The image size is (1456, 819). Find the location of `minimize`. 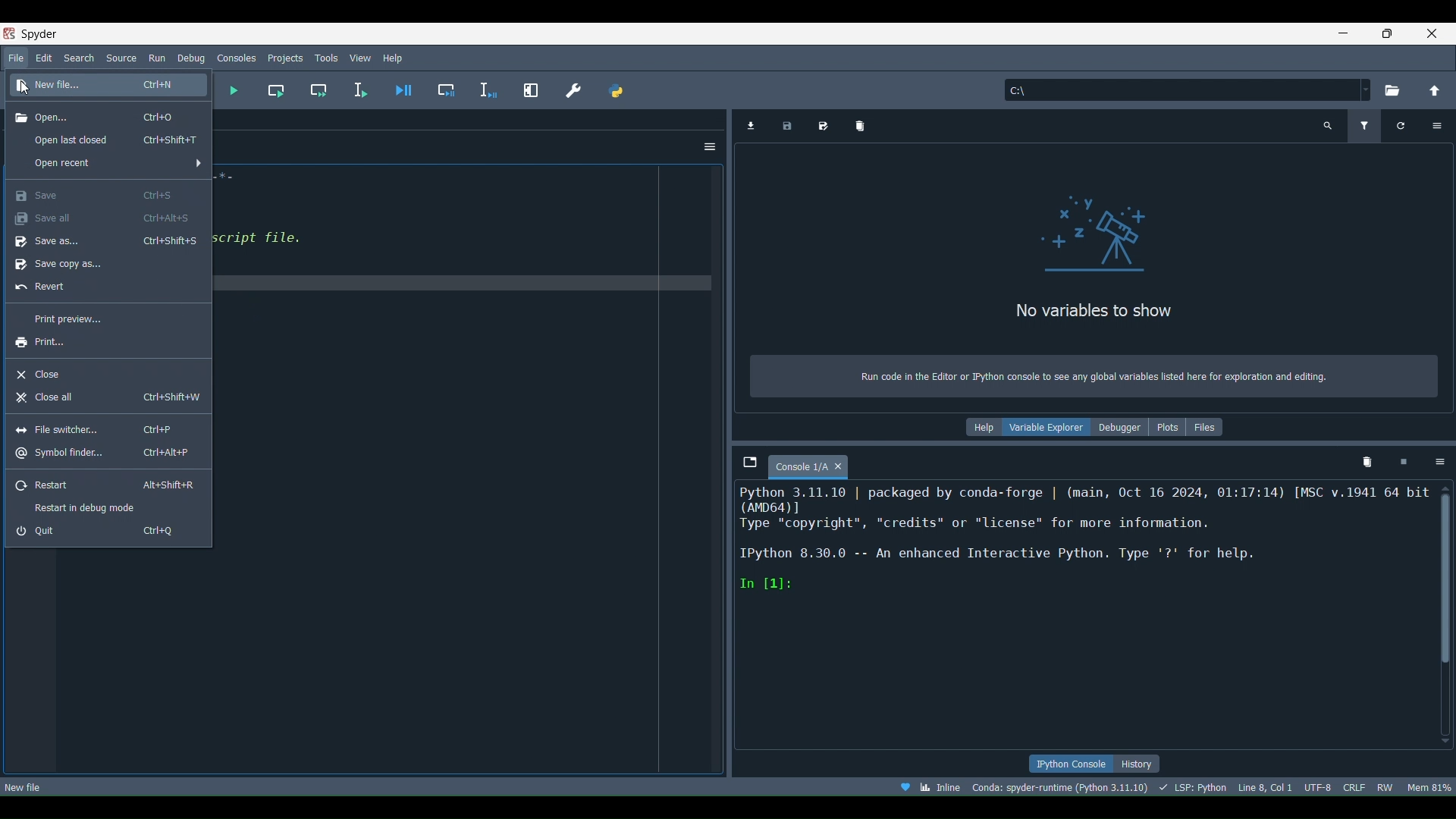

minimize is located at coordinates (1344, 33).